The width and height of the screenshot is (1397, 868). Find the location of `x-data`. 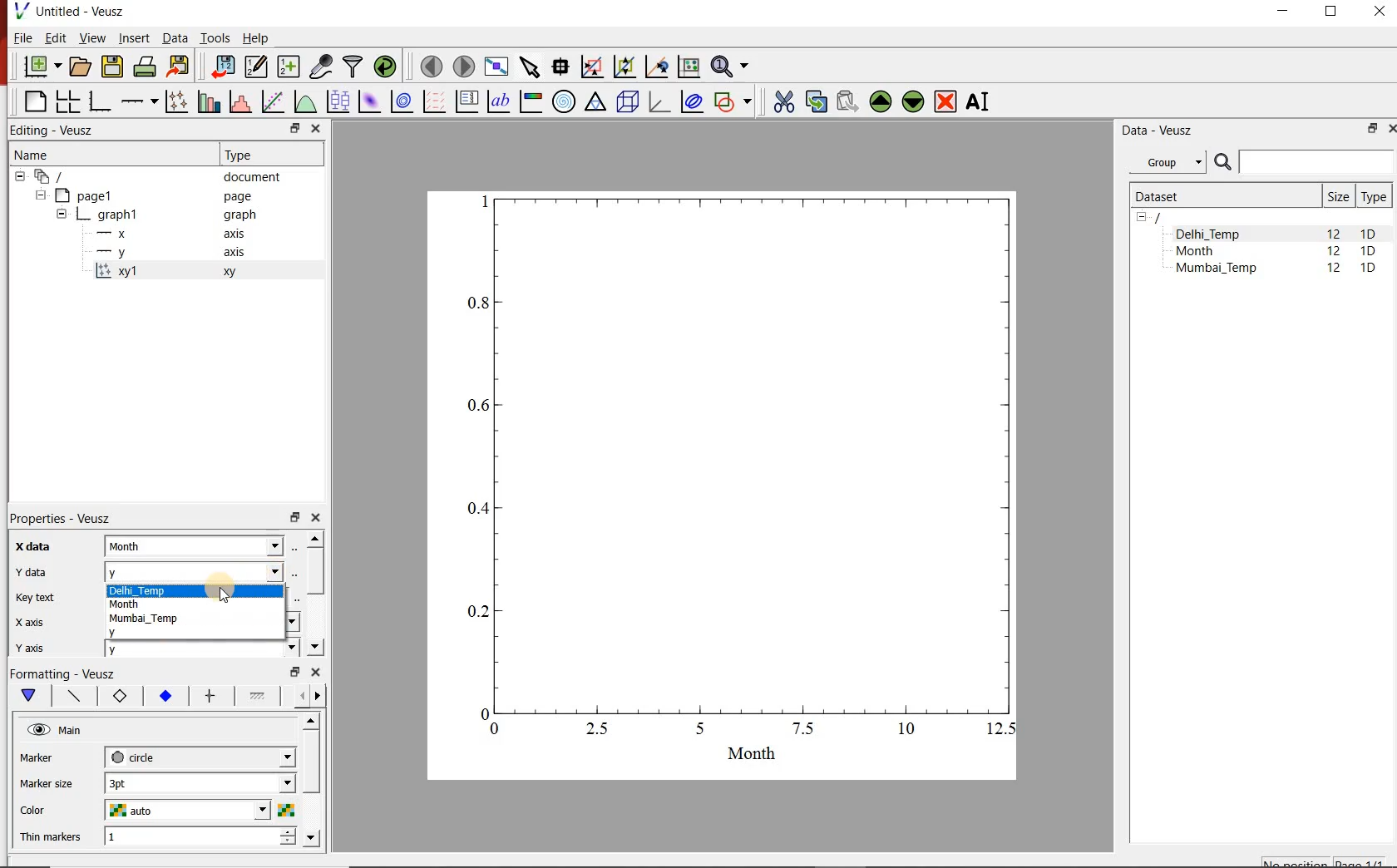

x-data is located at coordinates (35, 546).